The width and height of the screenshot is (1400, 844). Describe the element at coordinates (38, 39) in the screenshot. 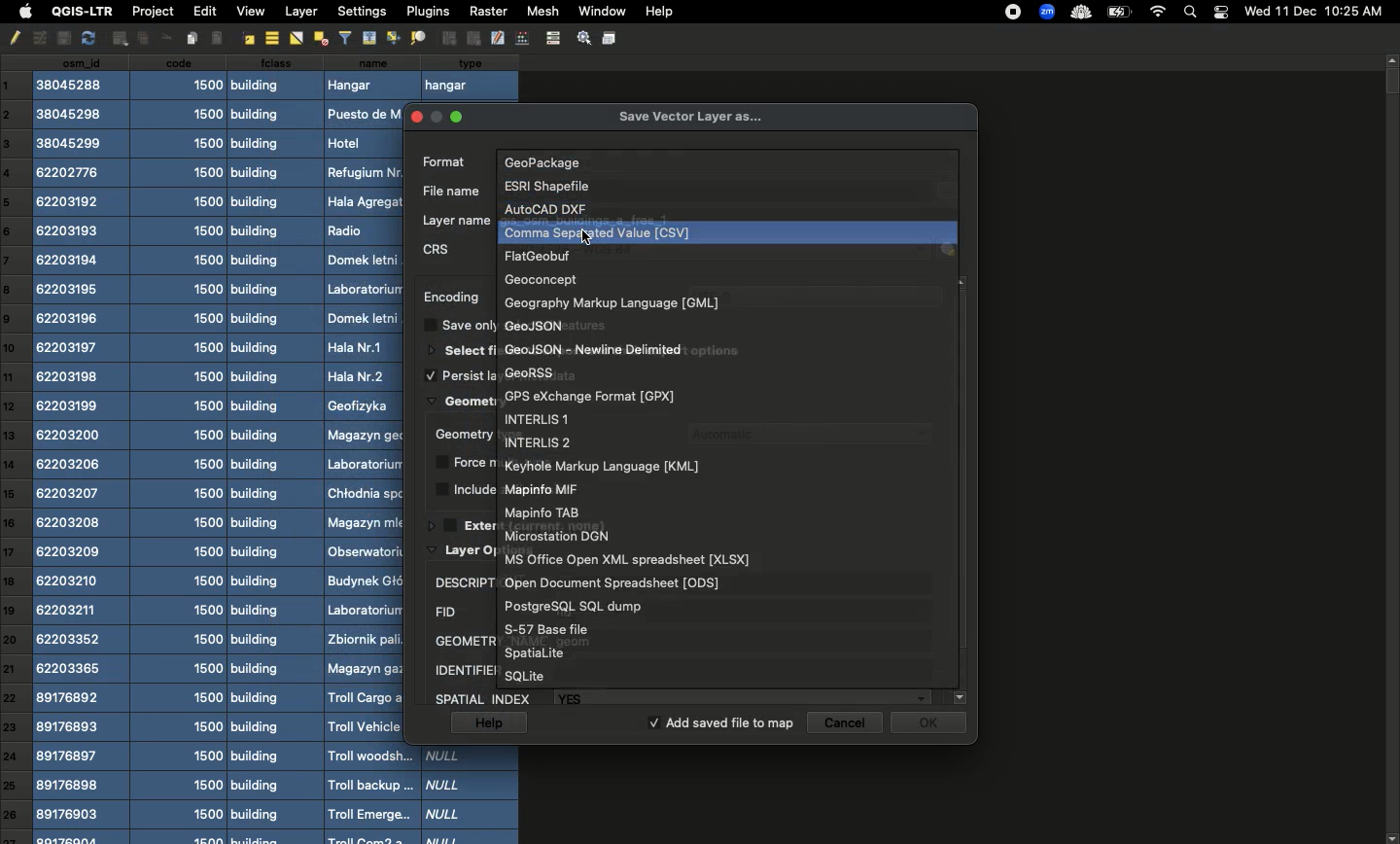

I see `Undo` at that location.